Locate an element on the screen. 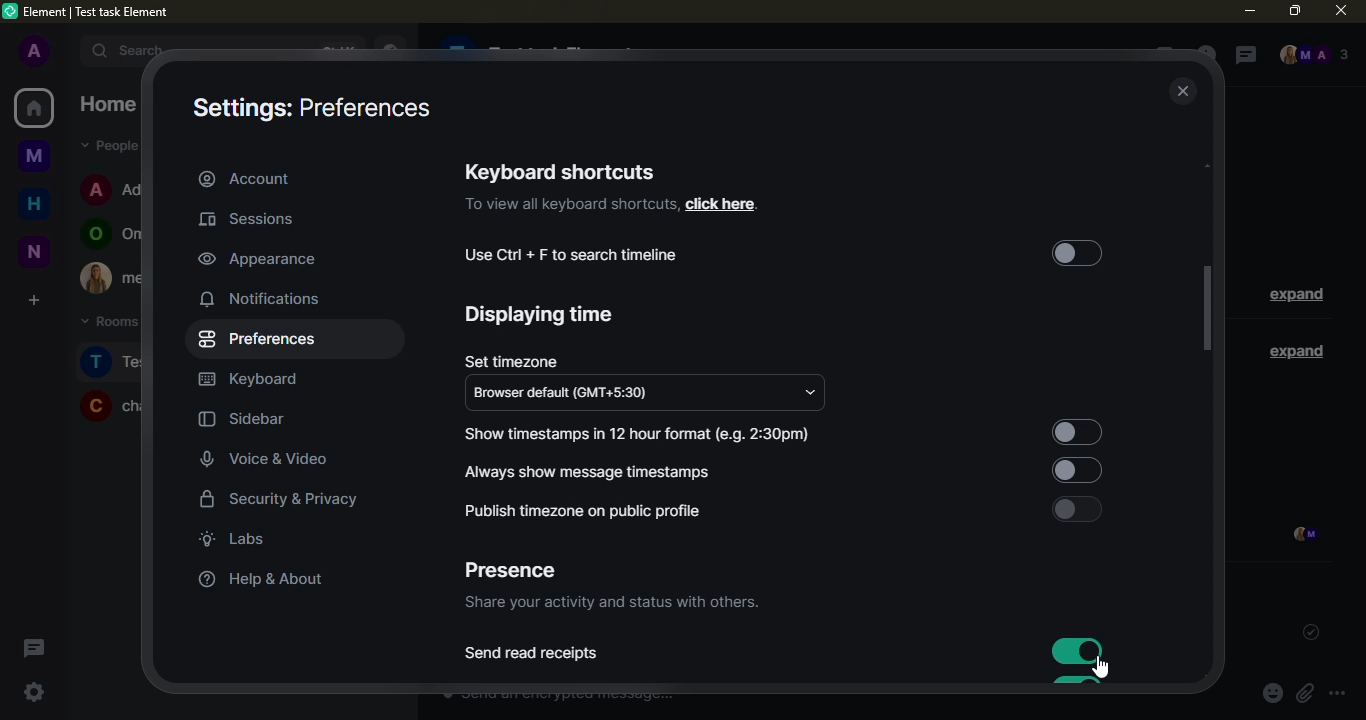 This screenshot has height=720, width=1366. presence is located at coordinates (509, 571).